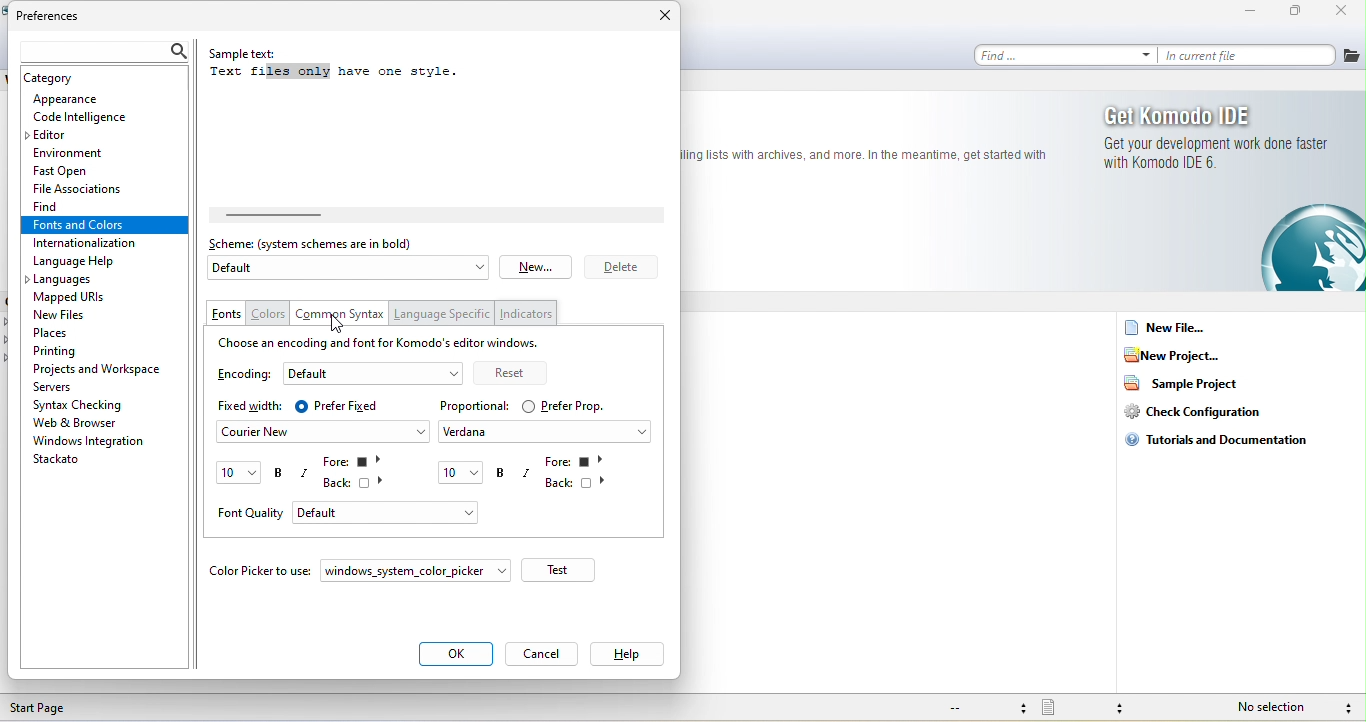 The height and width of the screenshot is (722, 1366). Describe the element at coordinates (95, 118) in the screenshot. I see `code intelilgence` at that location.